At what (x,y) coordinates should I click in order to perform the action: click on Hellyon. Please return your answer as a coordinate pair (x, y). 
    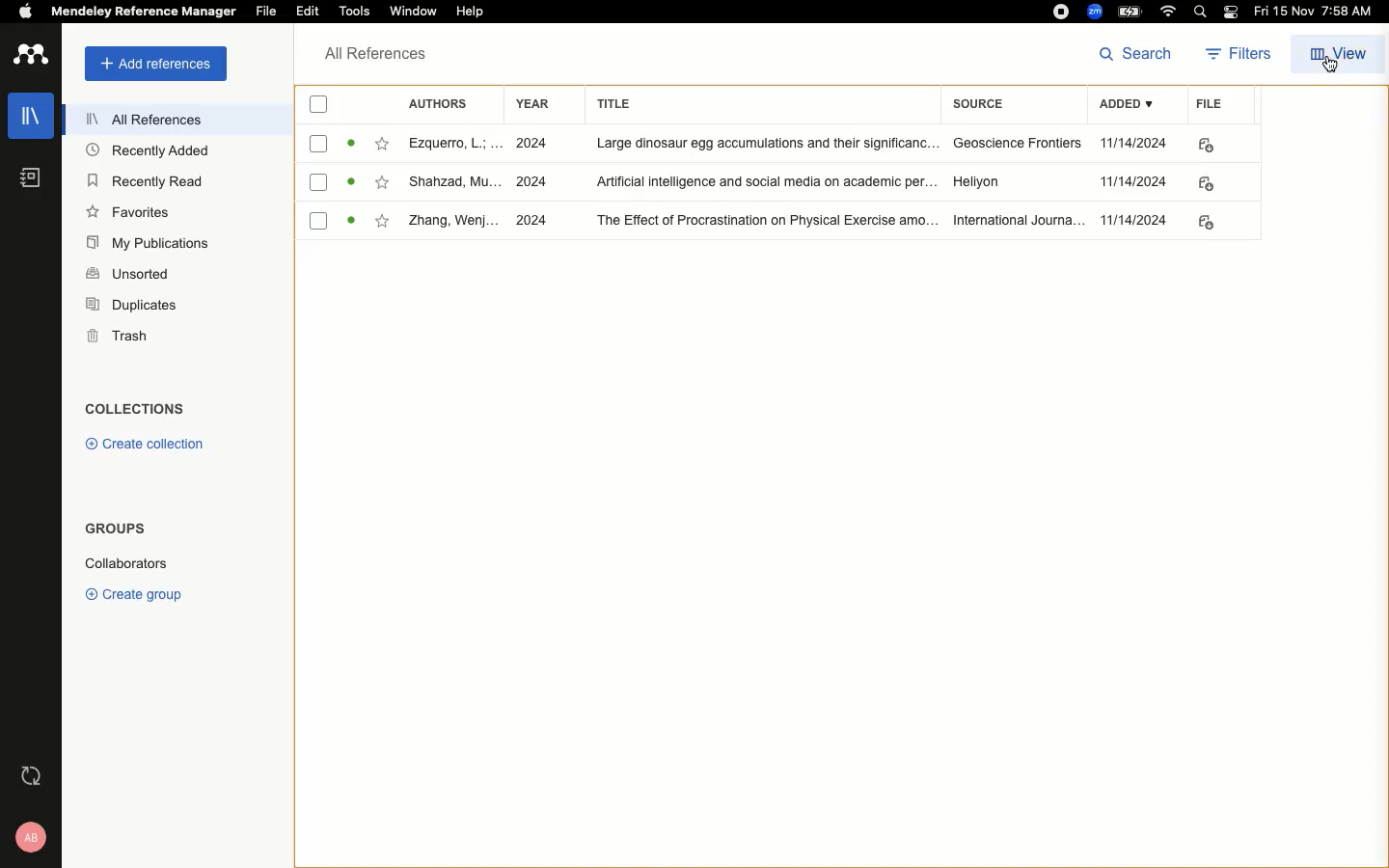
    Looking at the image, I should click on (980, 183).